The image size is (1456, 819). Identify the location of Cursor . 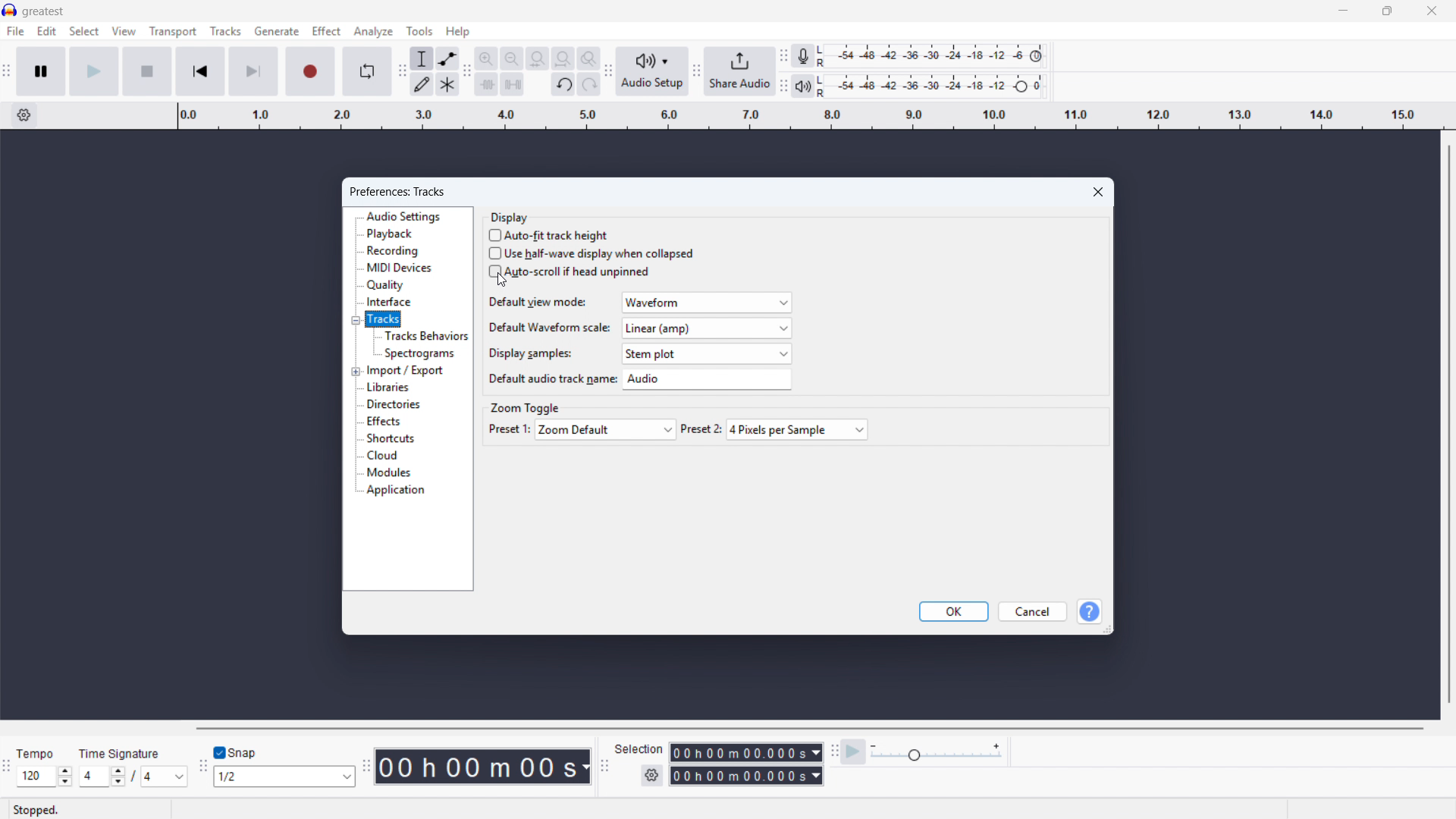
(503, 281).